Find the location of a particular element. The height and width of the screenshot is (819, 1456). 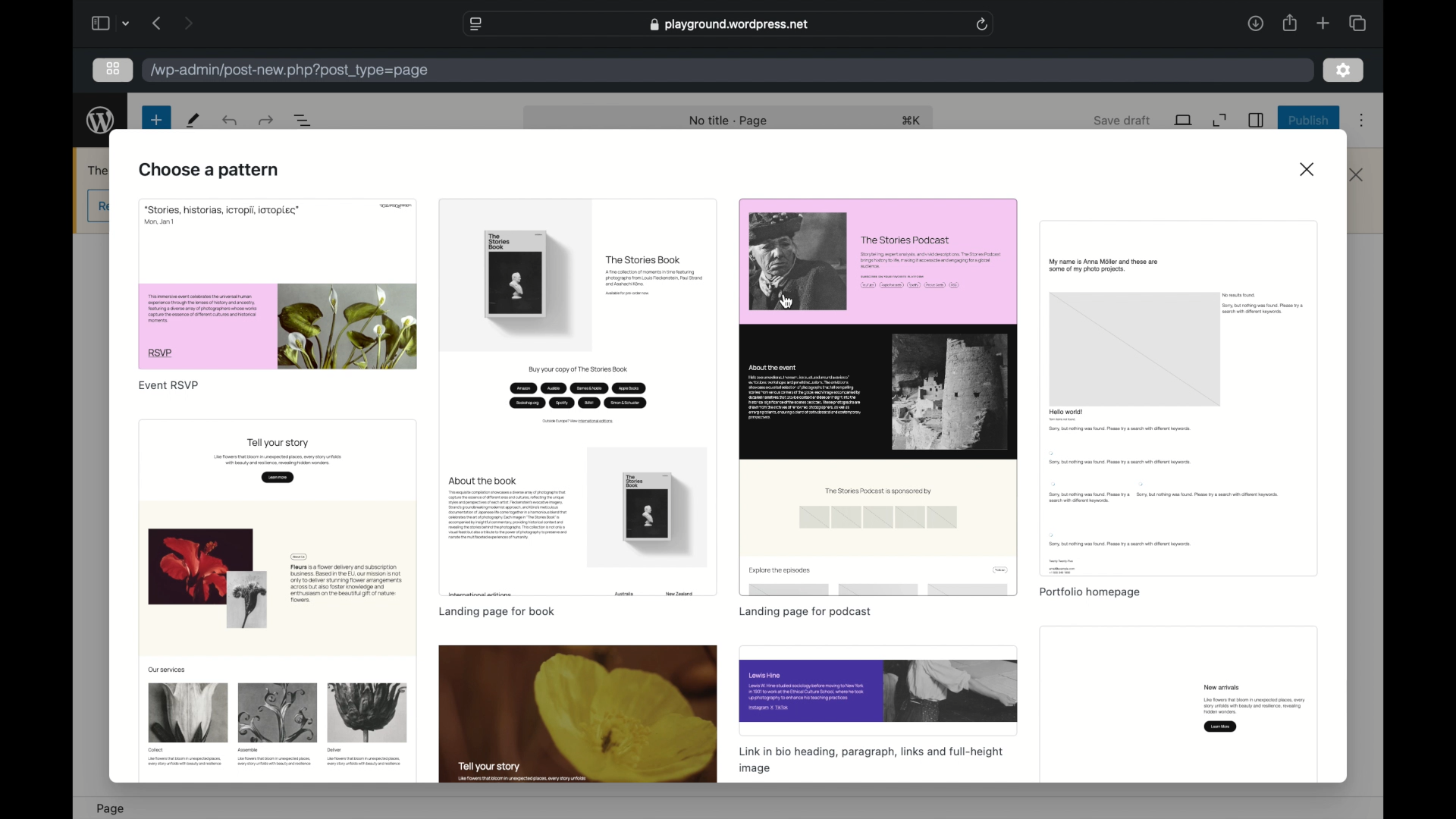

portfolio homepage is located at coordinates (1088, 593).